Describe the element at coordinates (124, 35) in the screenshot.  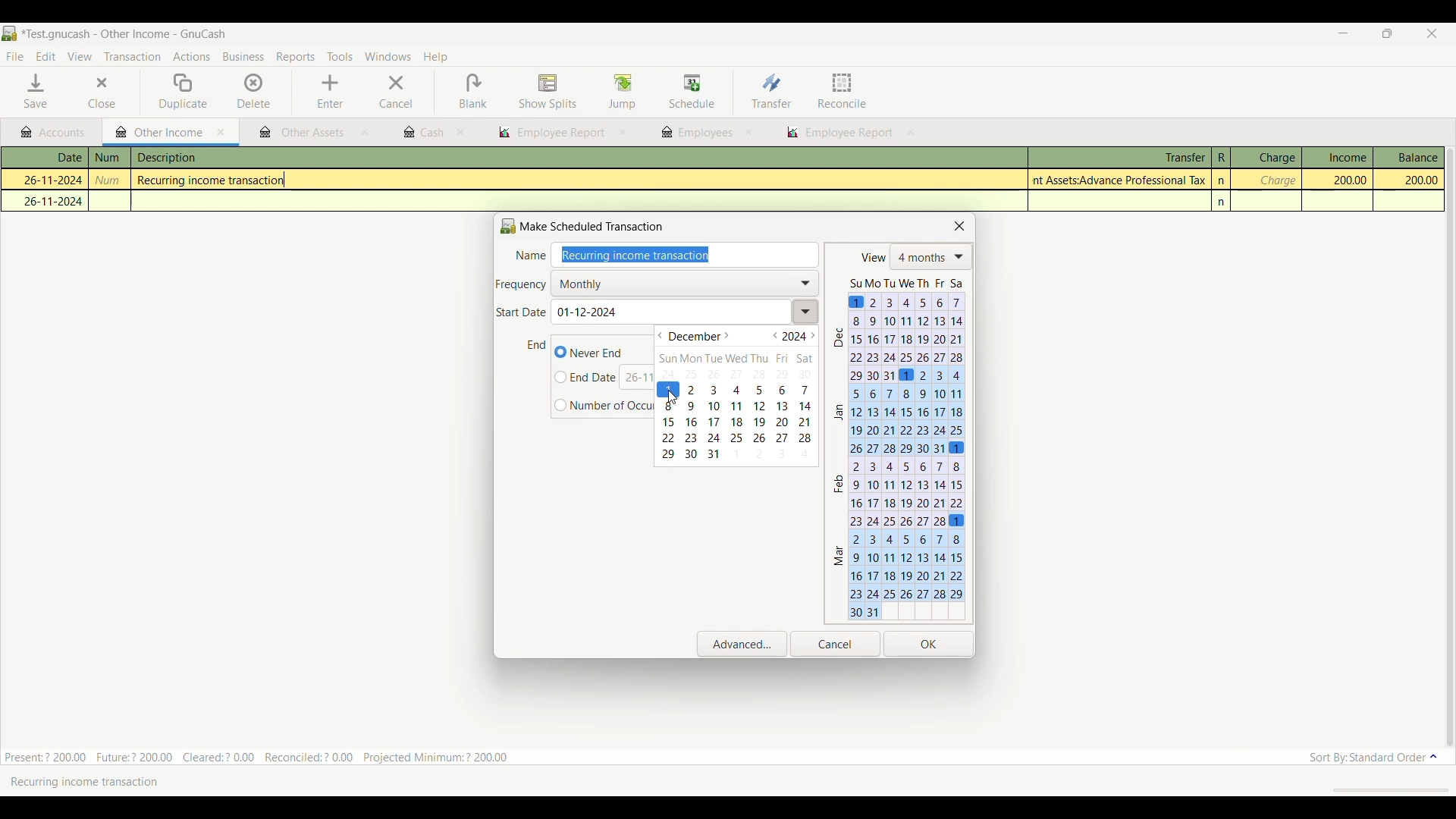
I see `Project and software name ` at that location.